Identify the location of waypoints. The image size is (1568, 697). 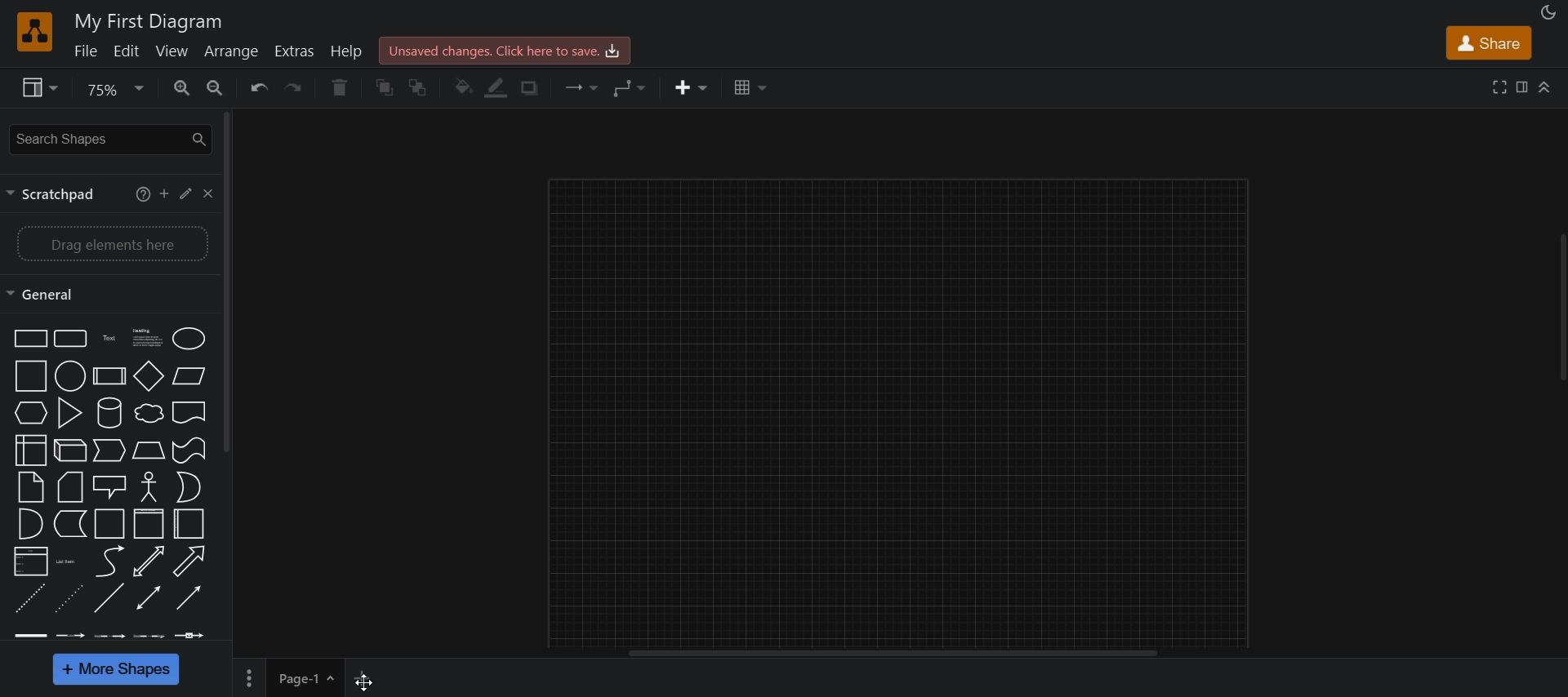
(632, 88).